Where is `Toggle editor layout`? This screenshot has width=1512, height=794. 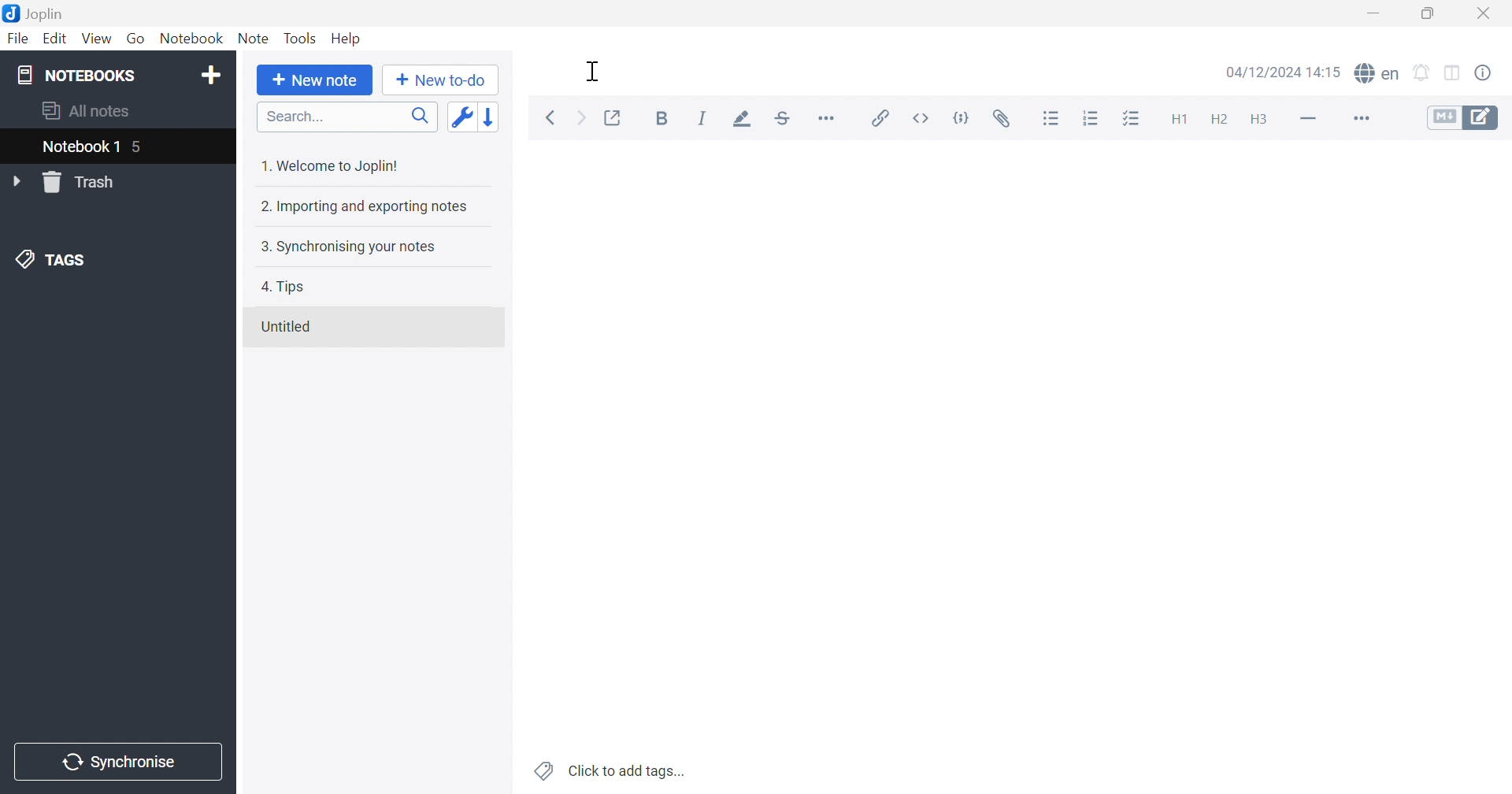 Toggle editor layout is located at coordinates (1455, 74).